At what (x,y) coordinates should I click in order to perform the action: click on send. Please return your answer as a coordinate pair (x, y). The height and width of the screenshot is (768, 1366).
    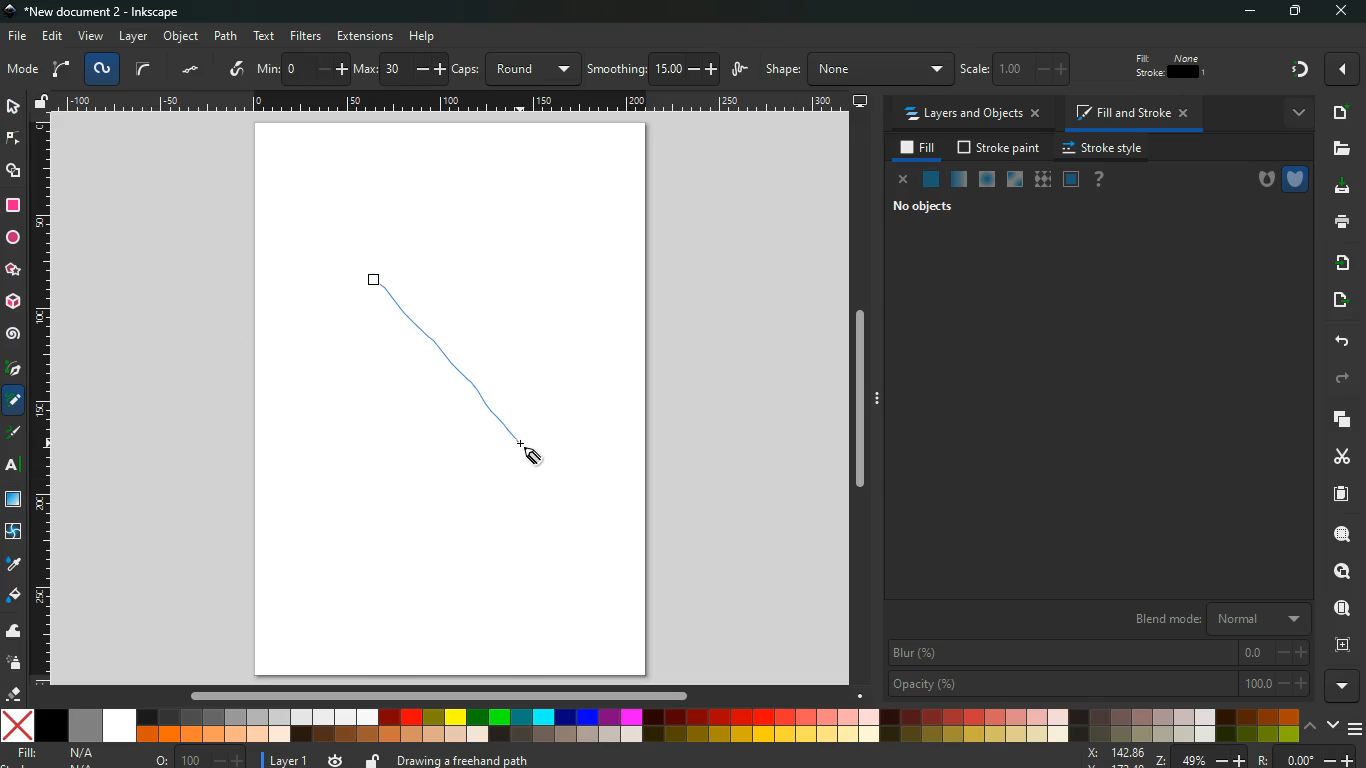
    Looking at the image, I should click on (1342, 296).